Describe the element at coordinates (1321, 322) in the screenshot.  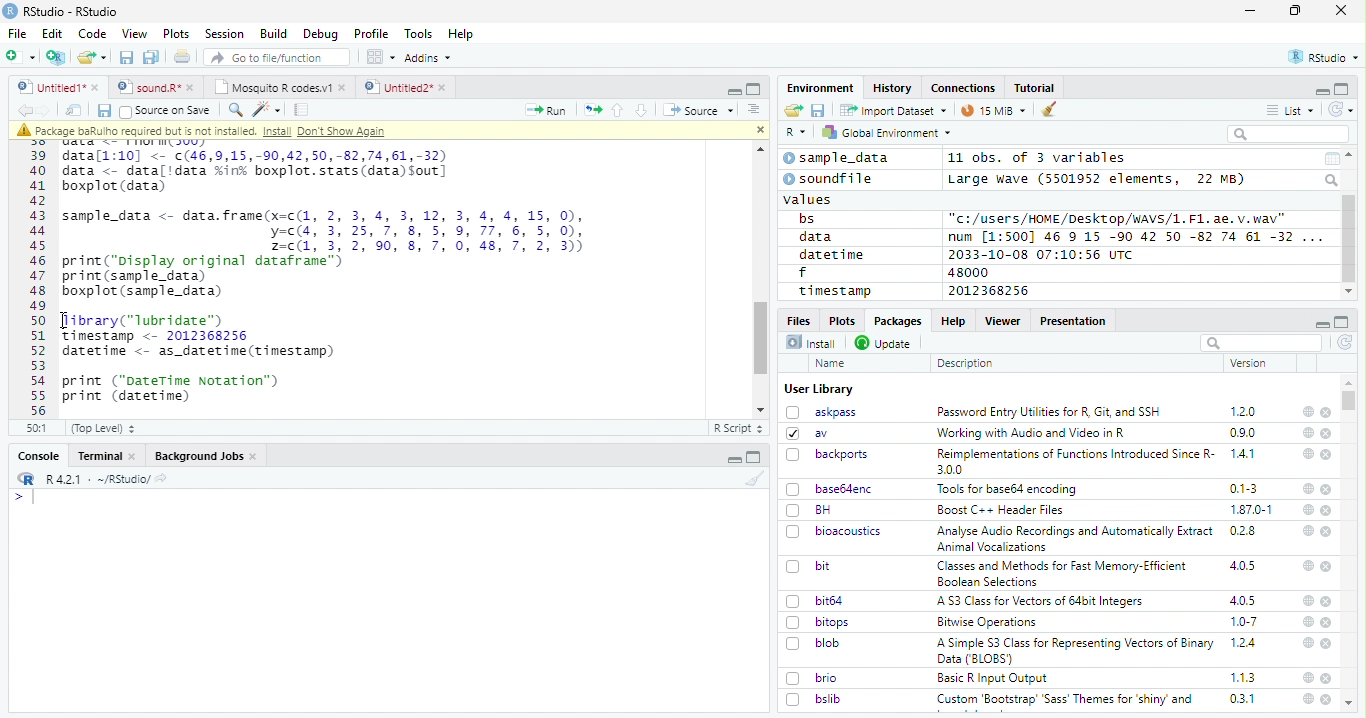
I see `minimize` at that location.